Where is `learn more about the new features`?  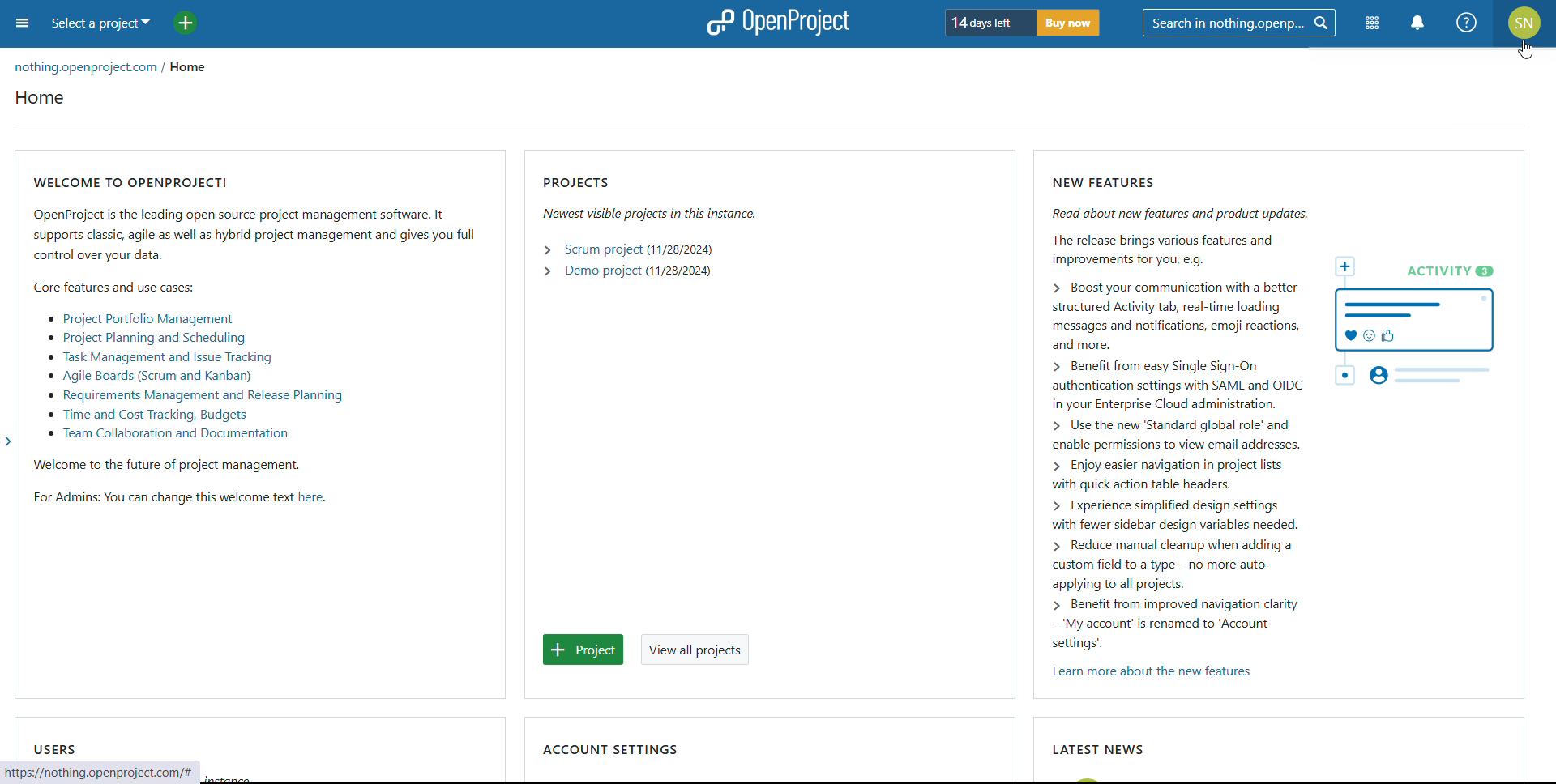 learn more about the new features is located at coordinates (1151, 673).